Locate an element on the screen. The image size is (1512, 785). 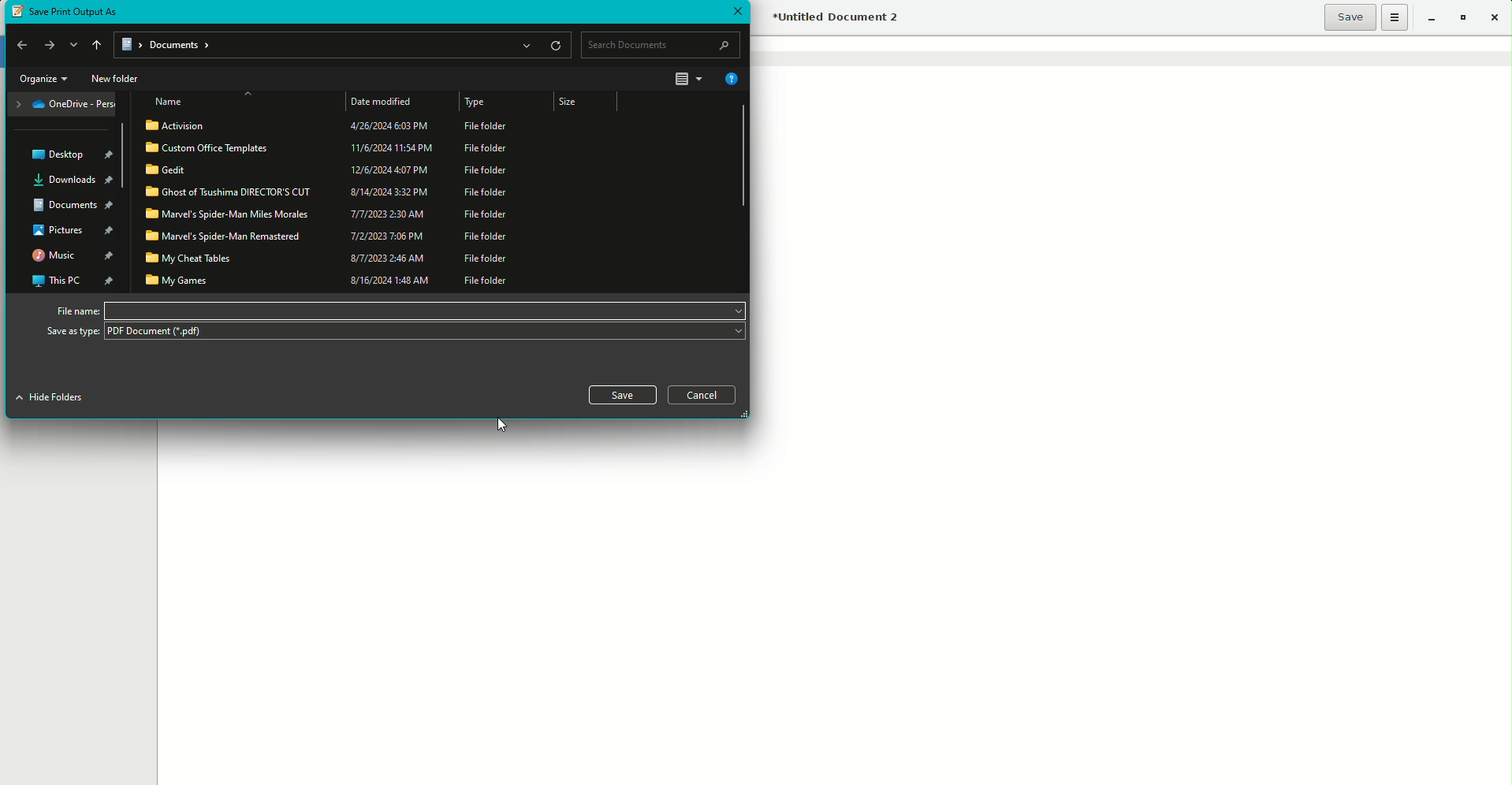
Organise is located at coordinates (42, 79).